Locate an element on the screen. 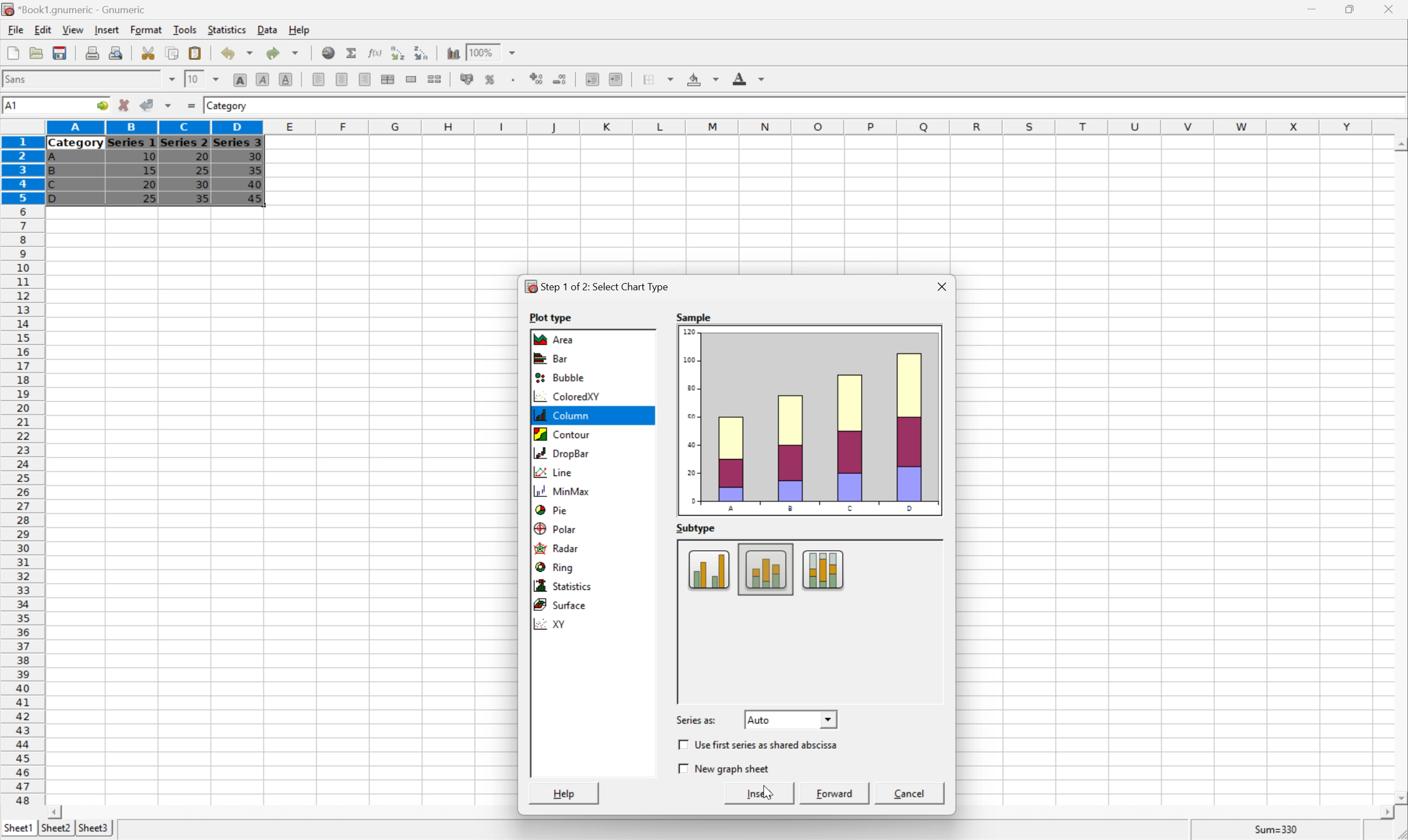  Column subtype is located at coordinates (766, 569).